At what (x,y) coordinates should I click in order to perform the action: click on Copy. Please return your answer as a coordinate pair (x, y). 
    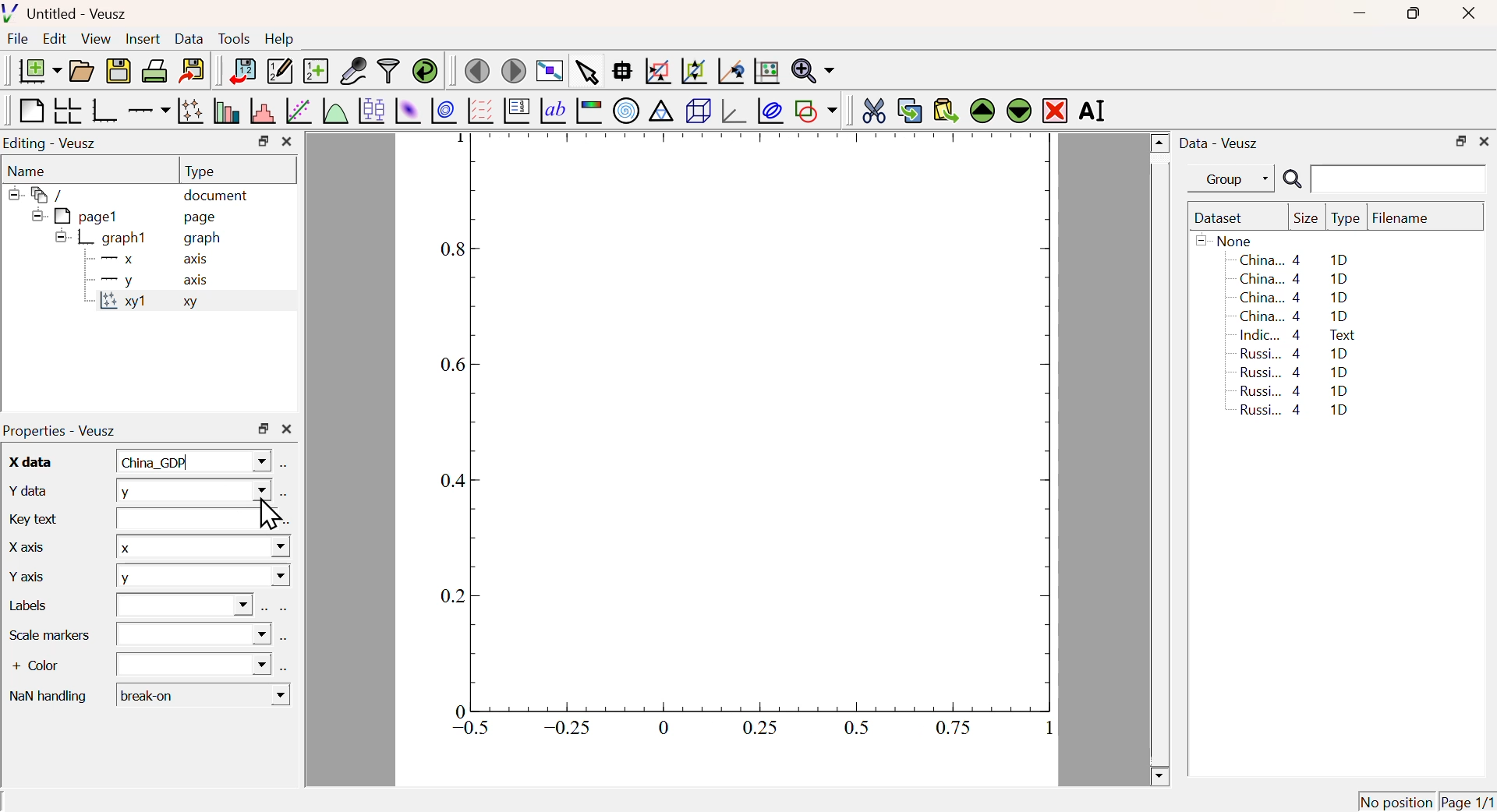
    Looking at the image, I should click on (909, 111).